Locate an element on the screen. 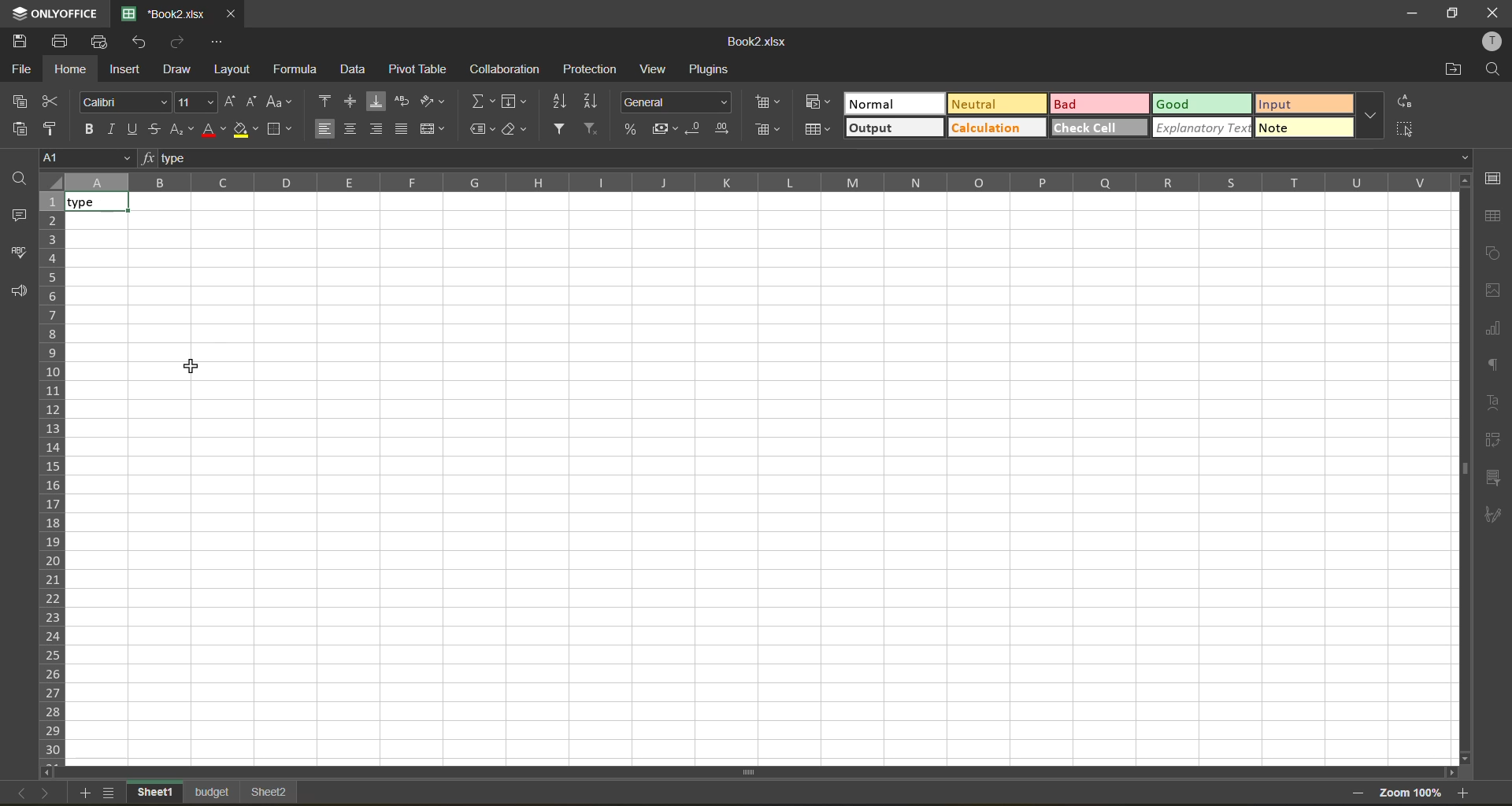 This screenshot has width=1512, height=806. fx is located at coordinates (147, 159).